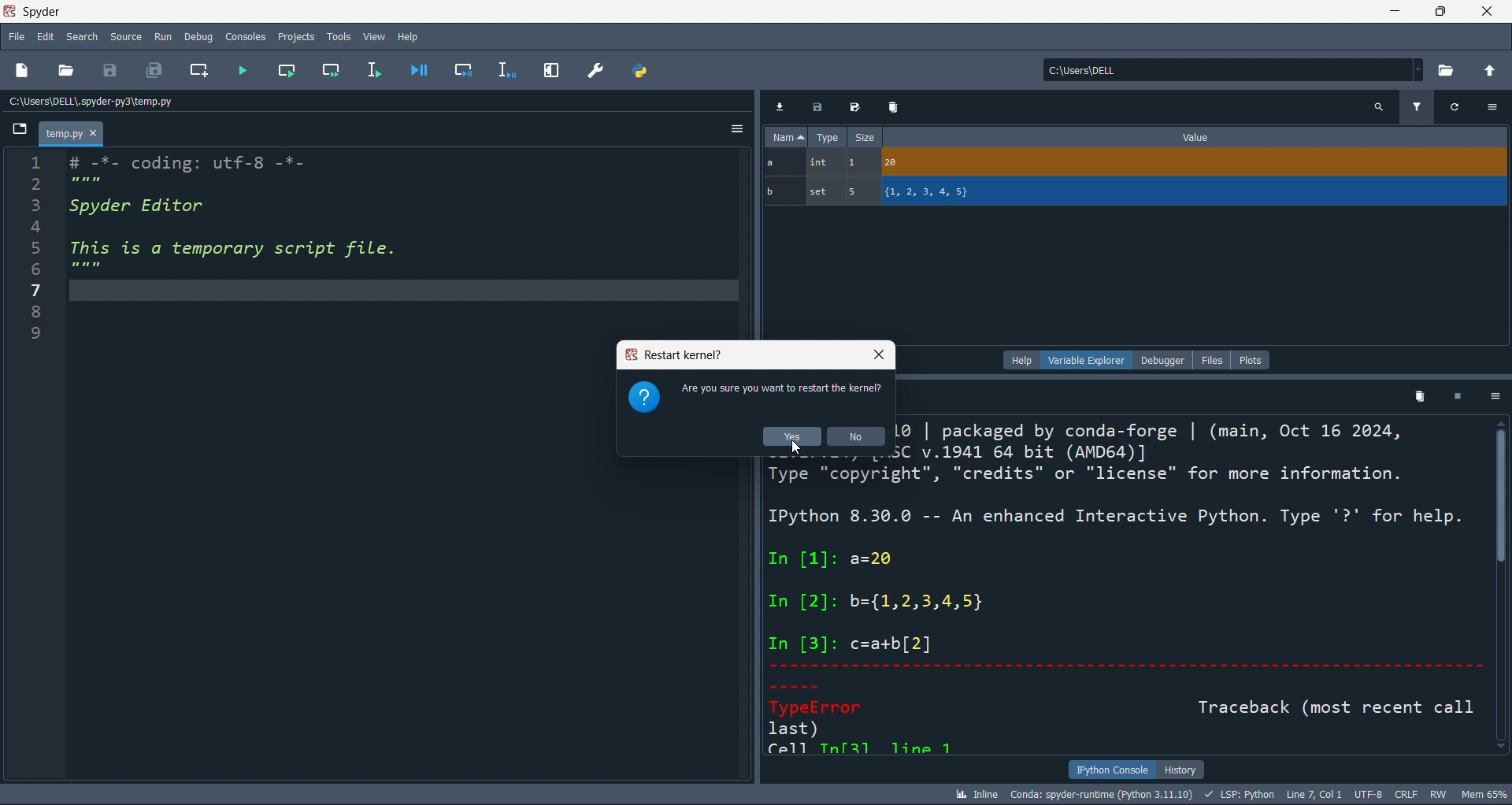 The height and width of the screenshot is (805, 1512). Describe the element at coordinates (1109, 607) in the screenshot. I see `ype Lopyrigie credits or LiLlChsc TO more iAnroriaLion.
IPython 8.30.0 -- An enhanced Interactive Python. Type '?' for help.
In [1]: a=20

In [2]: b={1,2,3,4,5}

In [3]: c=a+b[2]

TypeError Traceback (most recent call
last)

Fell Tulf21 12me 1` at that location.